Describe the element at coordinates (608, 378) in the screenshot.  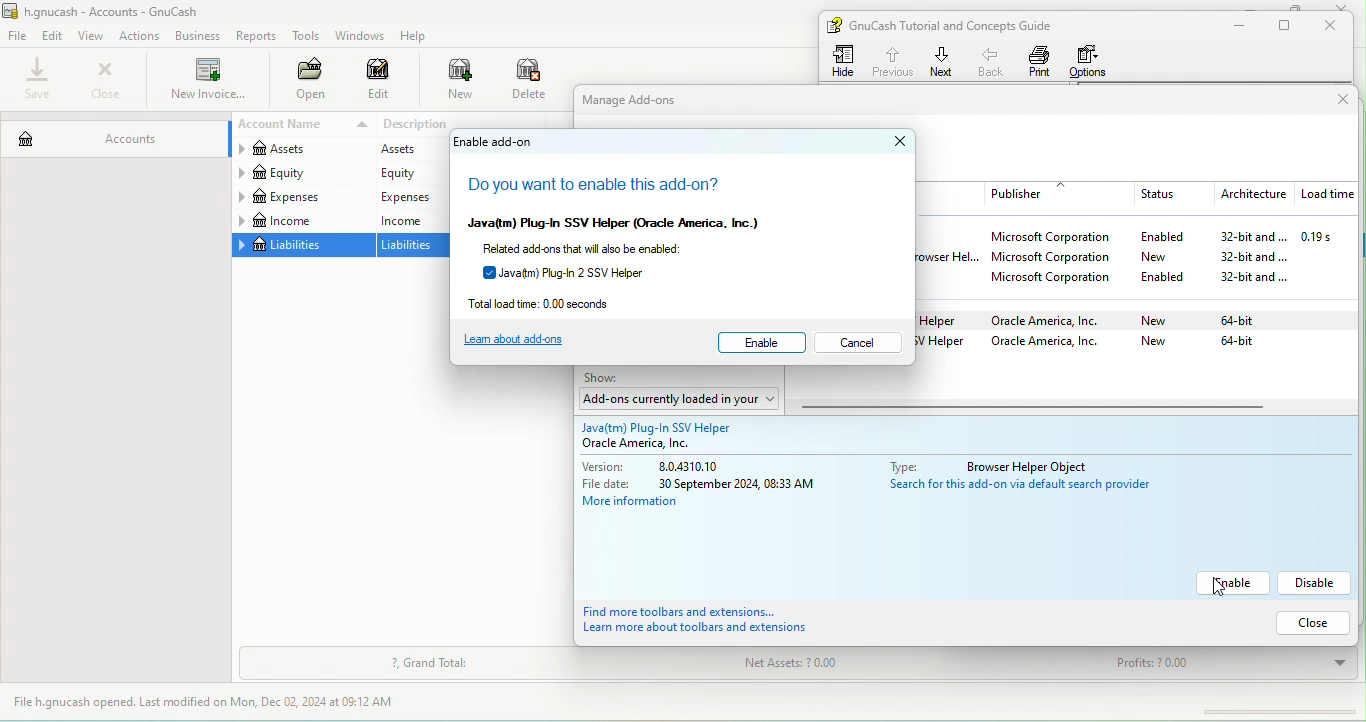
I see `show` at that location.